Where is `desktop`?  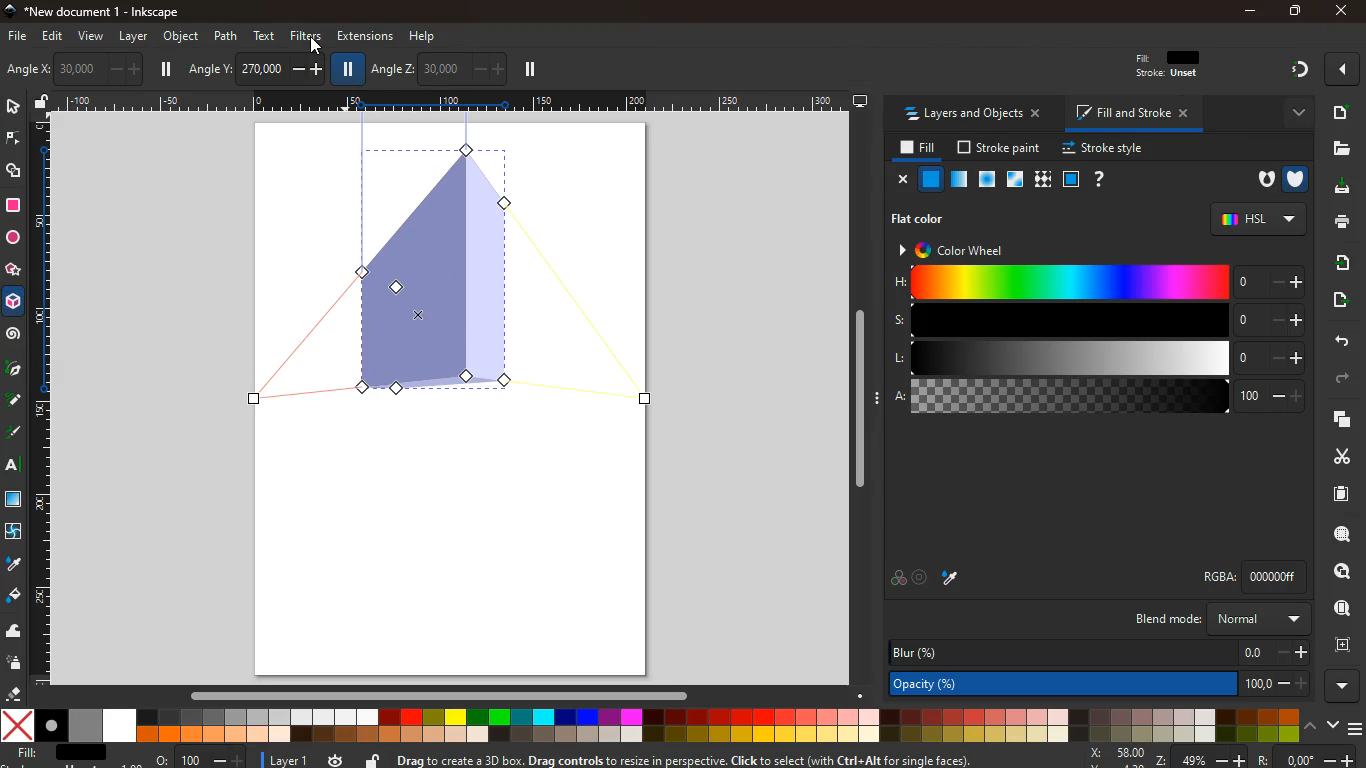
desktop is located at coordinates (860, 102).